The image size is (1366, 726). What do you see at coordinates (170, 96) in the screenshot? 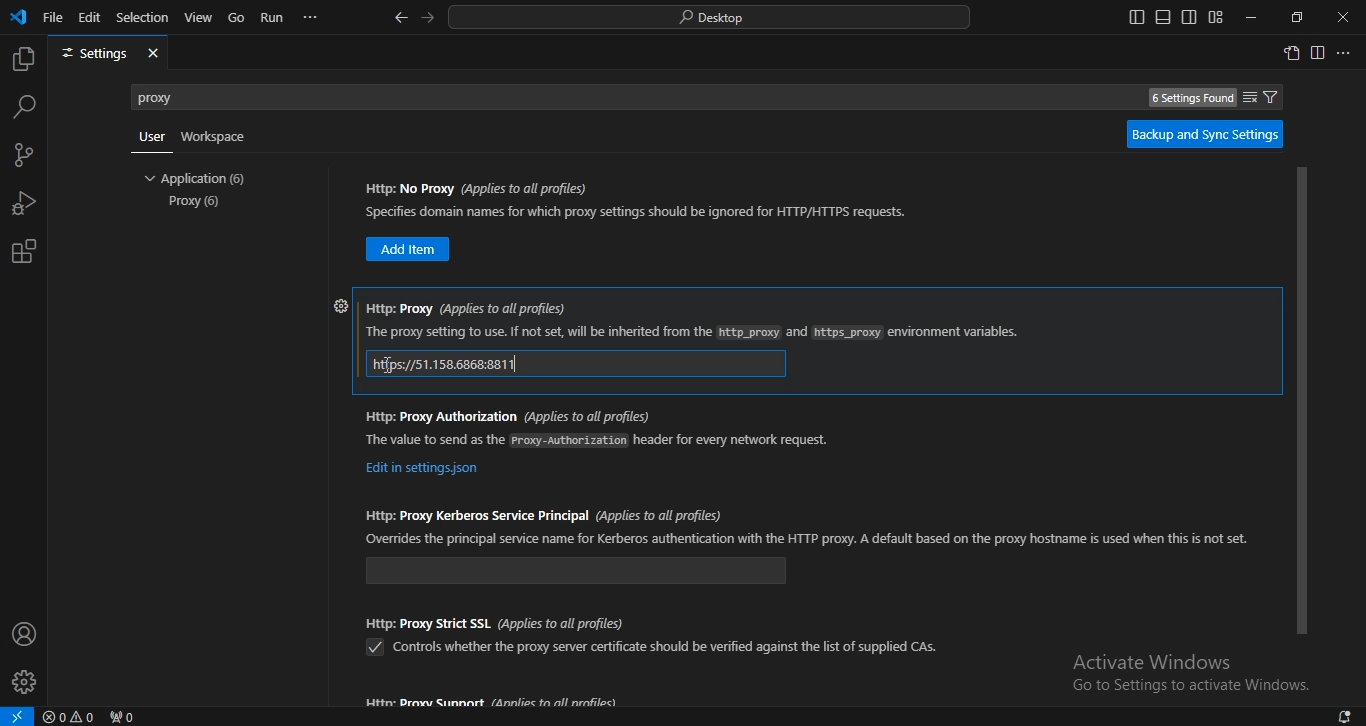
I see `proxy` at bounding box center [170, 96].